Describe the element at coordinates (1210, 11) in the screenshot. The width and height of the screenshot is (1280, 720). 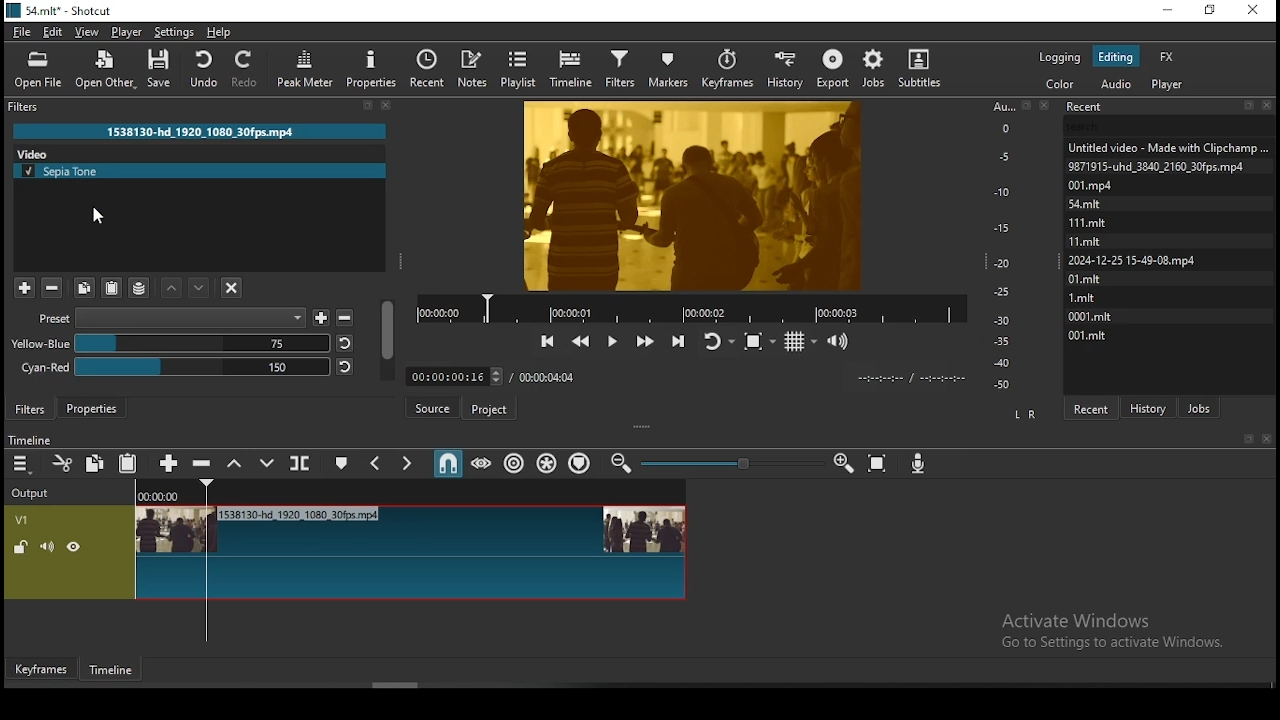
I see `restore` at that location.